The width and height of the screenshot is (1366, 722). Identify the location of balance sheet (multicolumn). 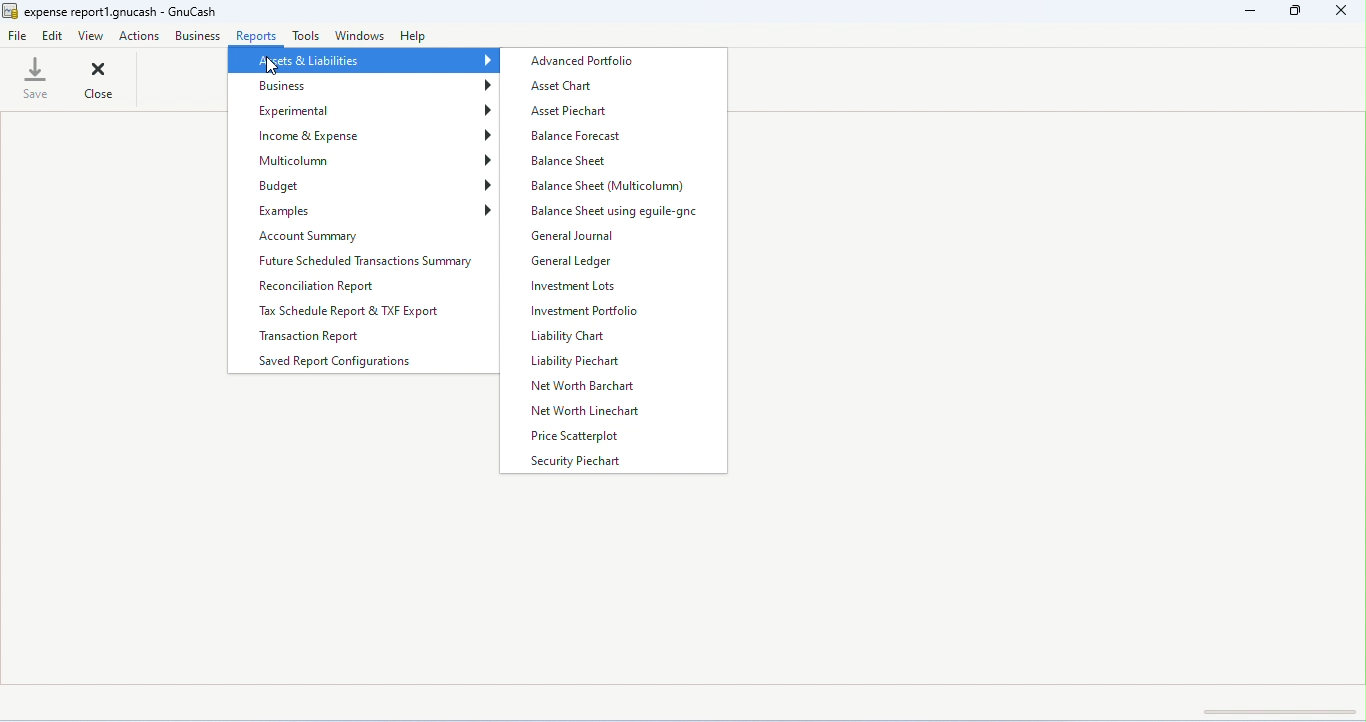
(609, 186).